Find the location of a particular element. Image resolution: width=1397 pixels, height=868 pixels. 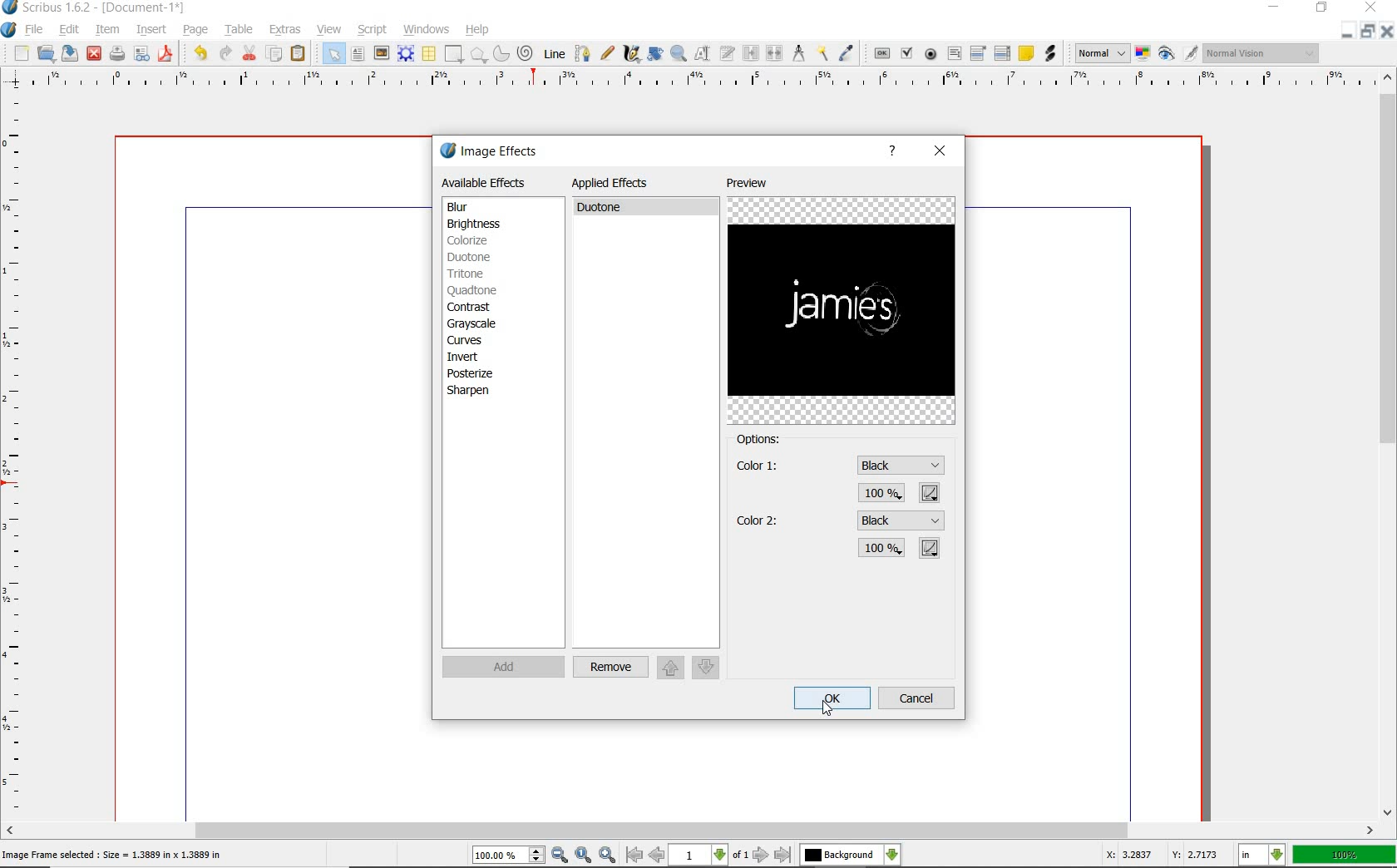

Scroll bar is located at coordinates (690, 830).